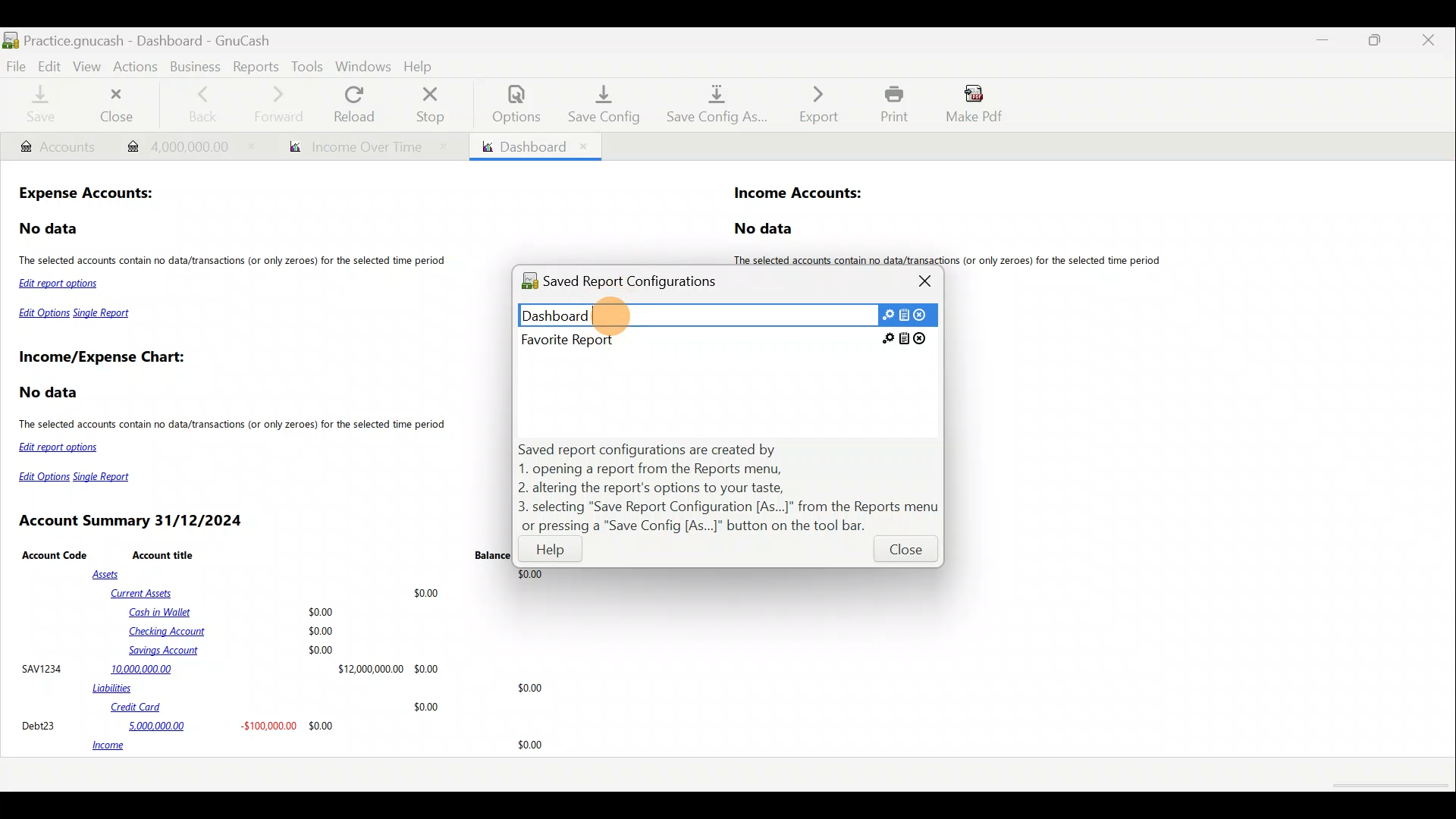 Image resolution: width=1456 pixels, height=819 pixels. I want to click on Maximise, so click(1378, 45).